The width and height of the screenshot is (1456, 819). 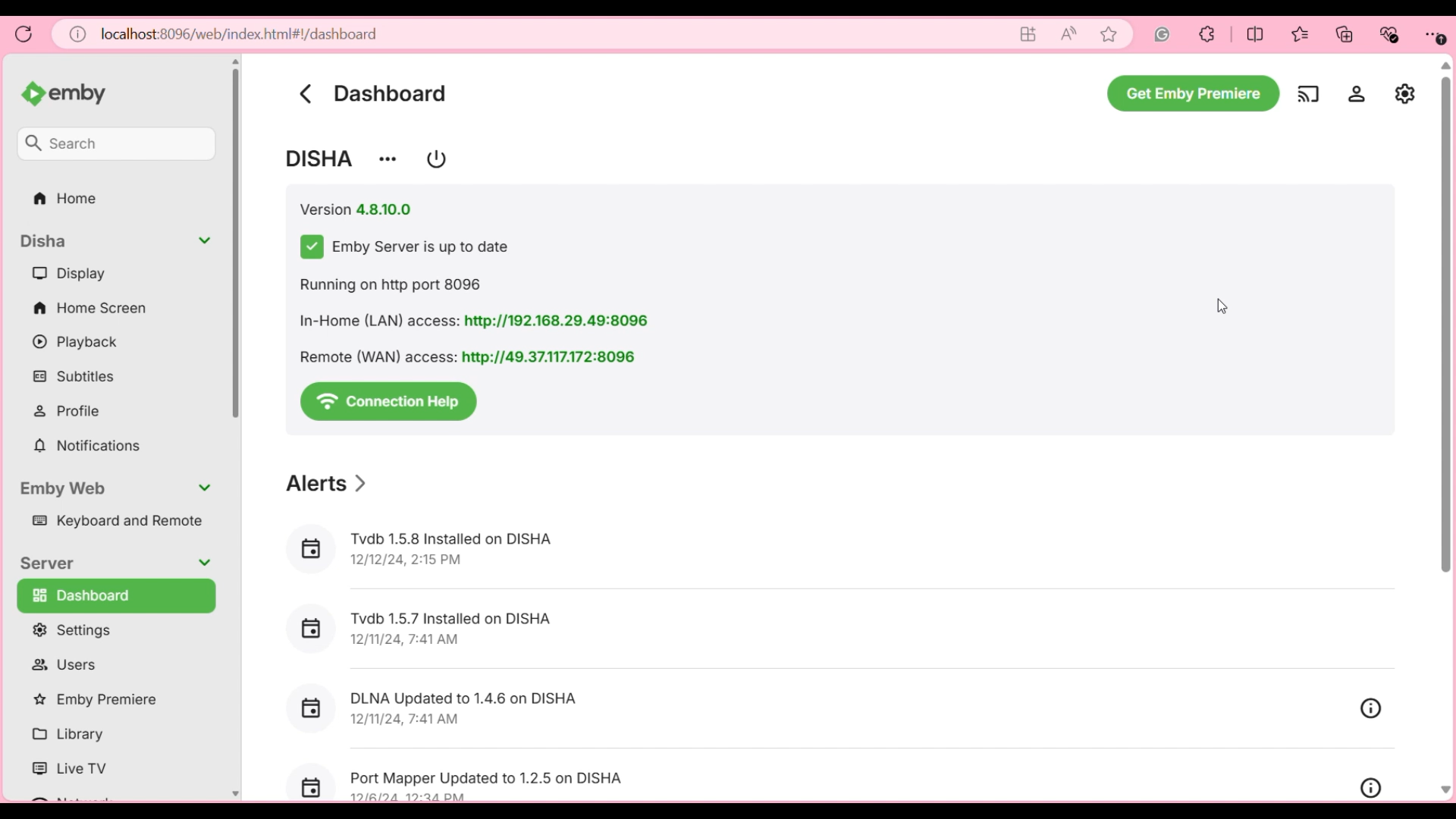 What do you see at coordinates (78, 34) in the screenshot?
I see `View site information` at bounding box center [78, 34].